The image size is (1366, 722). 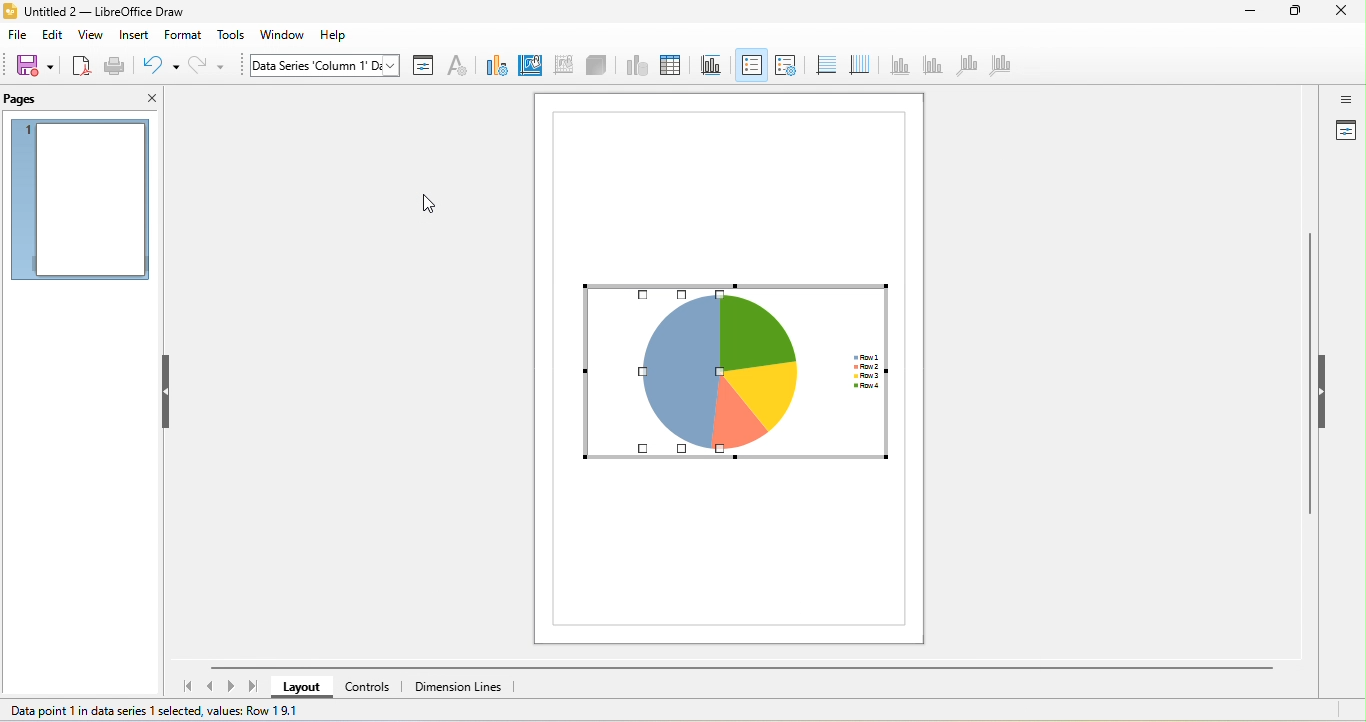 I want to click on toggle sidebar, so click(x=1345, y=99).